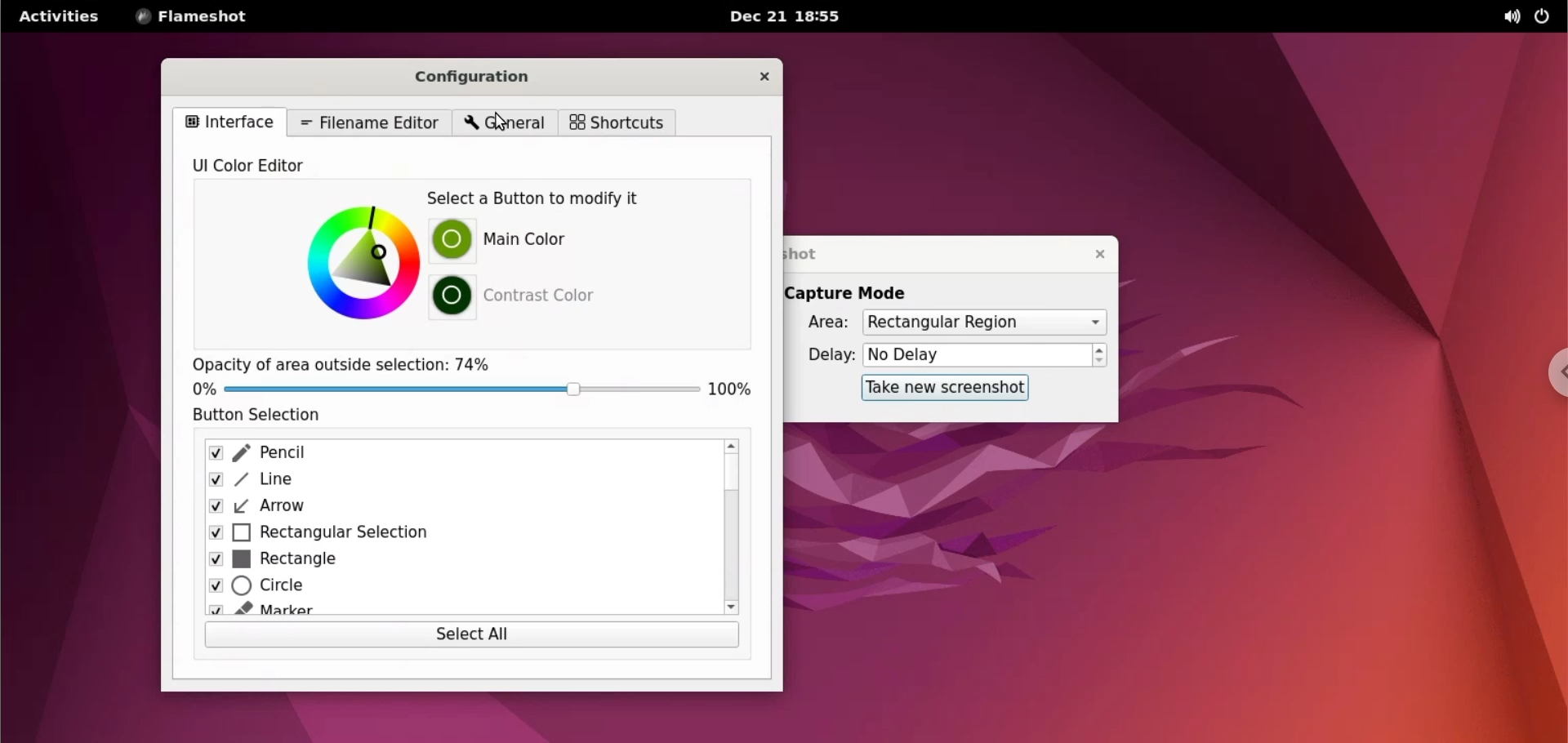  What do you see at coordinates (938, 387) in the screenshot?
I see `take new screenshot` at bounding box center [938, 387].